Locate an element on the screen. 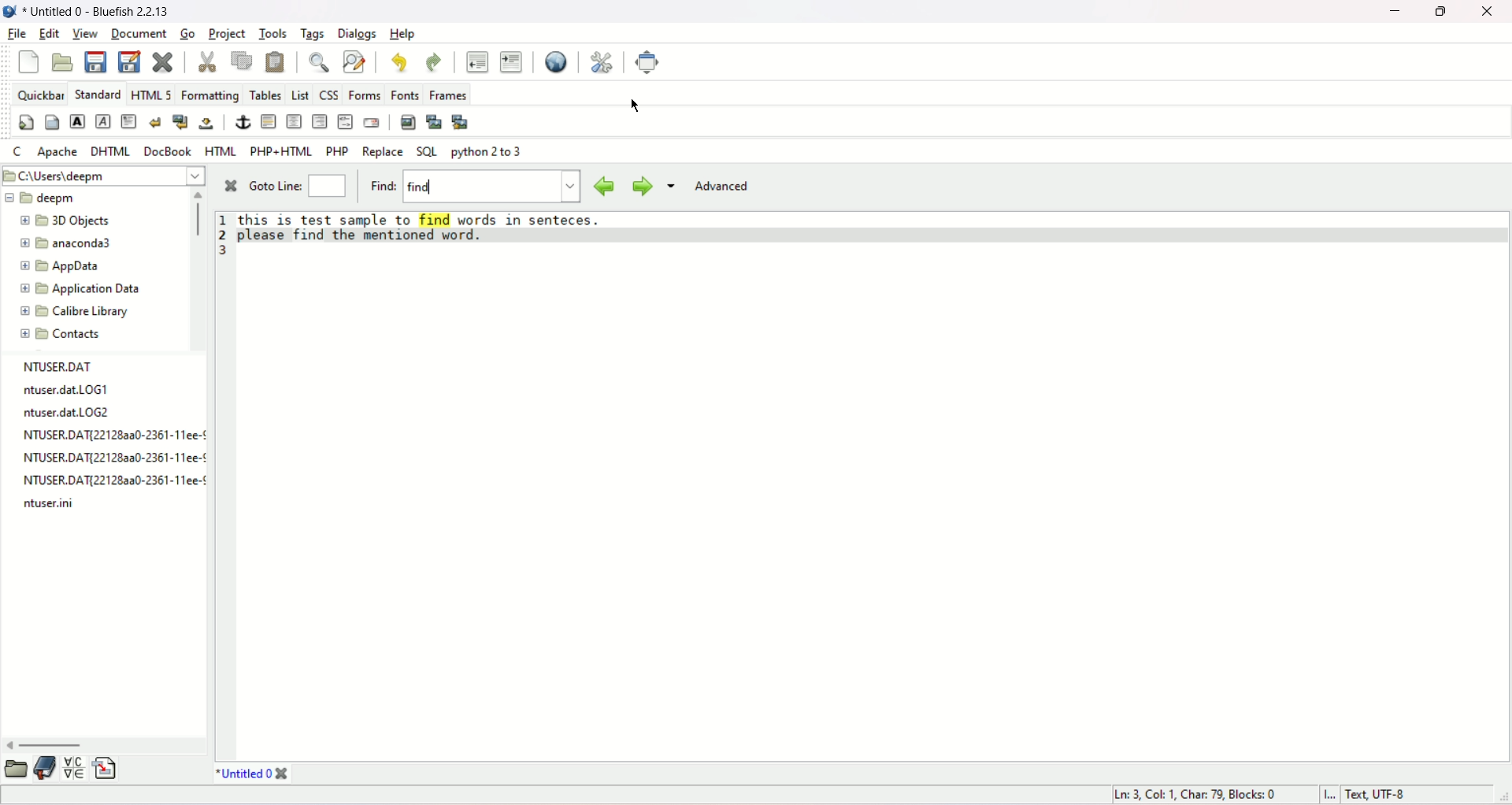 Image resolution: width=1512 pixels, height=805 pixels. go is located at coordinates (187, 32).